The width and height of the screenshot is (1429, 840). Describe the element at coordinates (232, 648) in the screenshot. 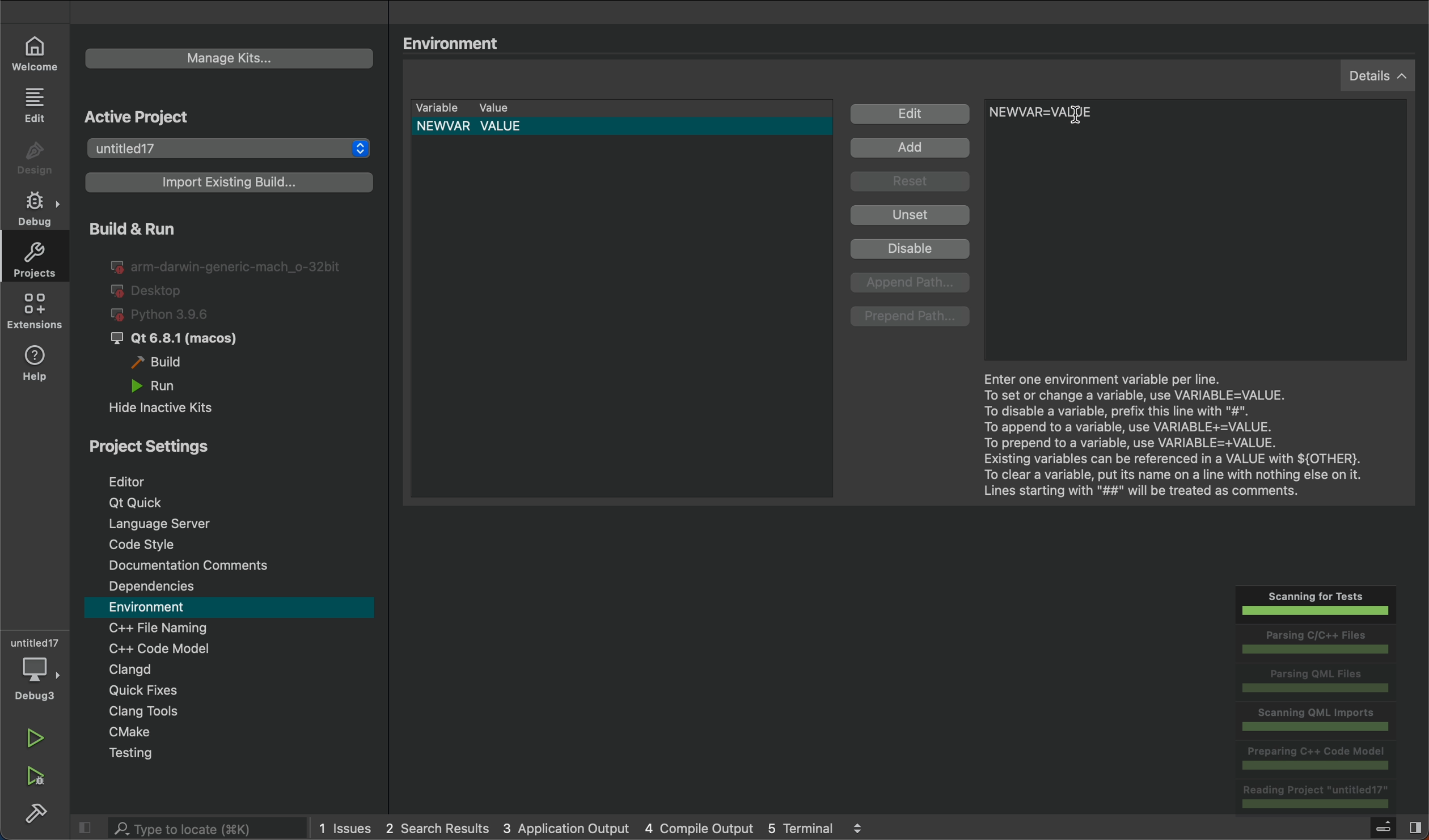

I see `code modal` at that location.